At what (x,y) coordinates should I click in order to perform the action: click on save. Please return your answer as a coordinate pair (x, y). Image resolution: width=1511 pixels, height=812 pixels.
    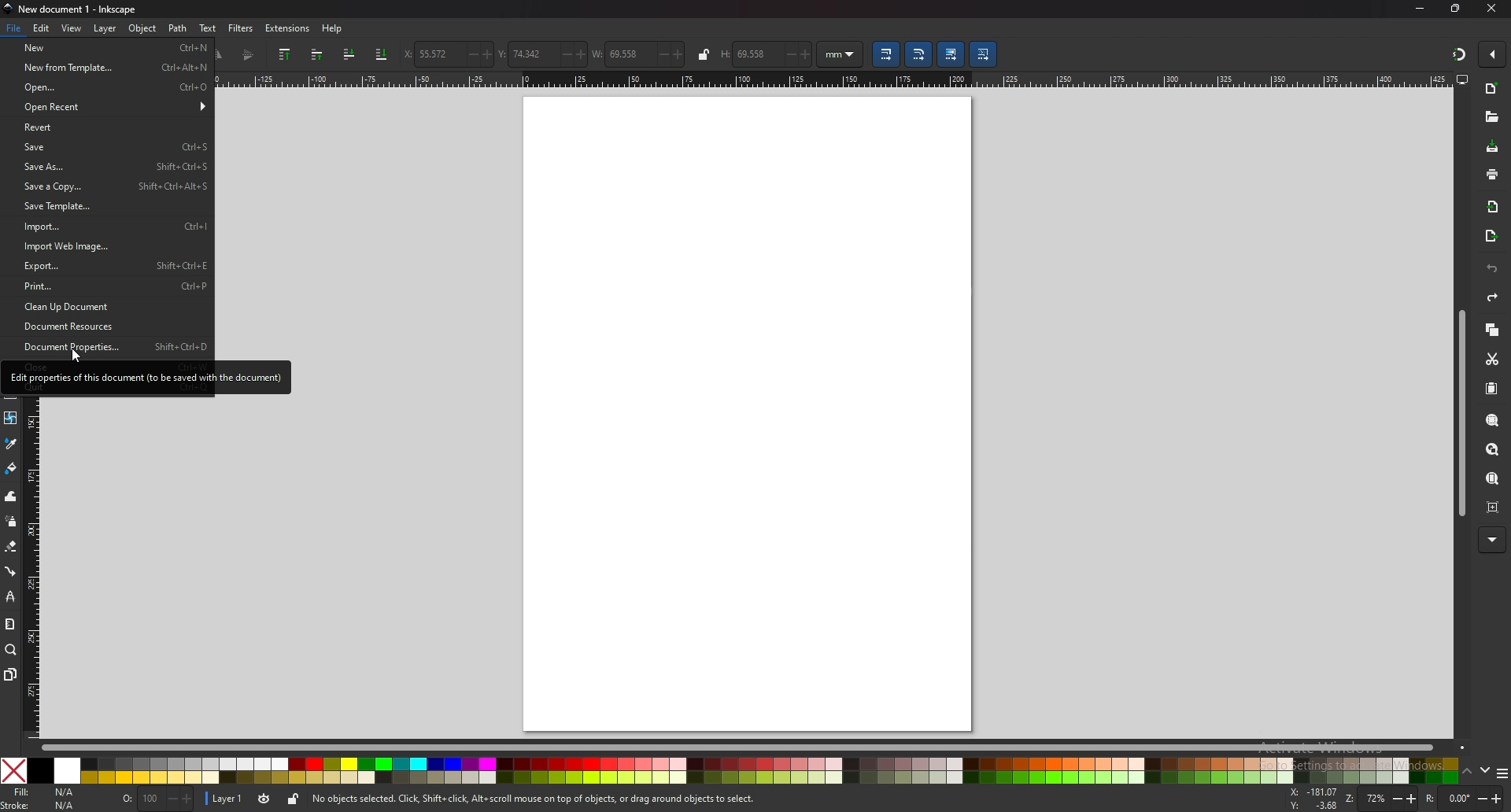
    Looking at the image, I should click on (1492, 146).